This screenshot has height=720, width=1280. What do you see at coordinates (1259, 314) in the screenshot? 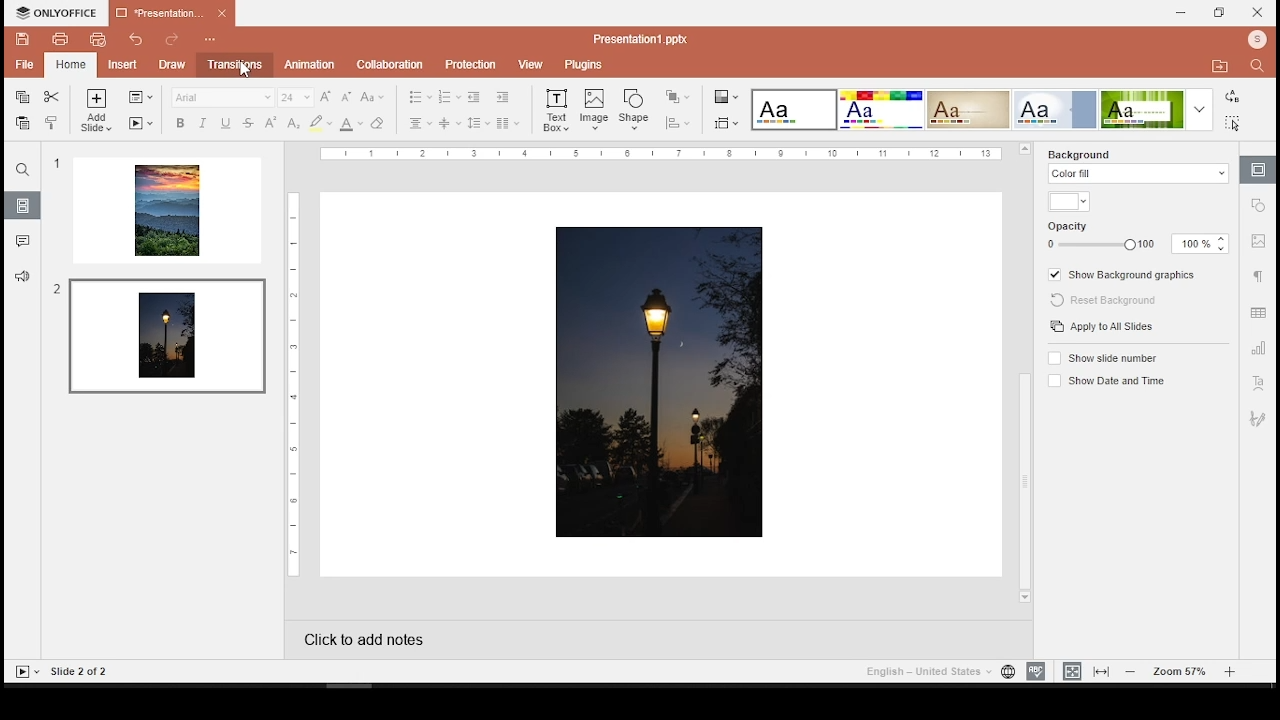
I see `table settings` at bounding box center [1259, 314].